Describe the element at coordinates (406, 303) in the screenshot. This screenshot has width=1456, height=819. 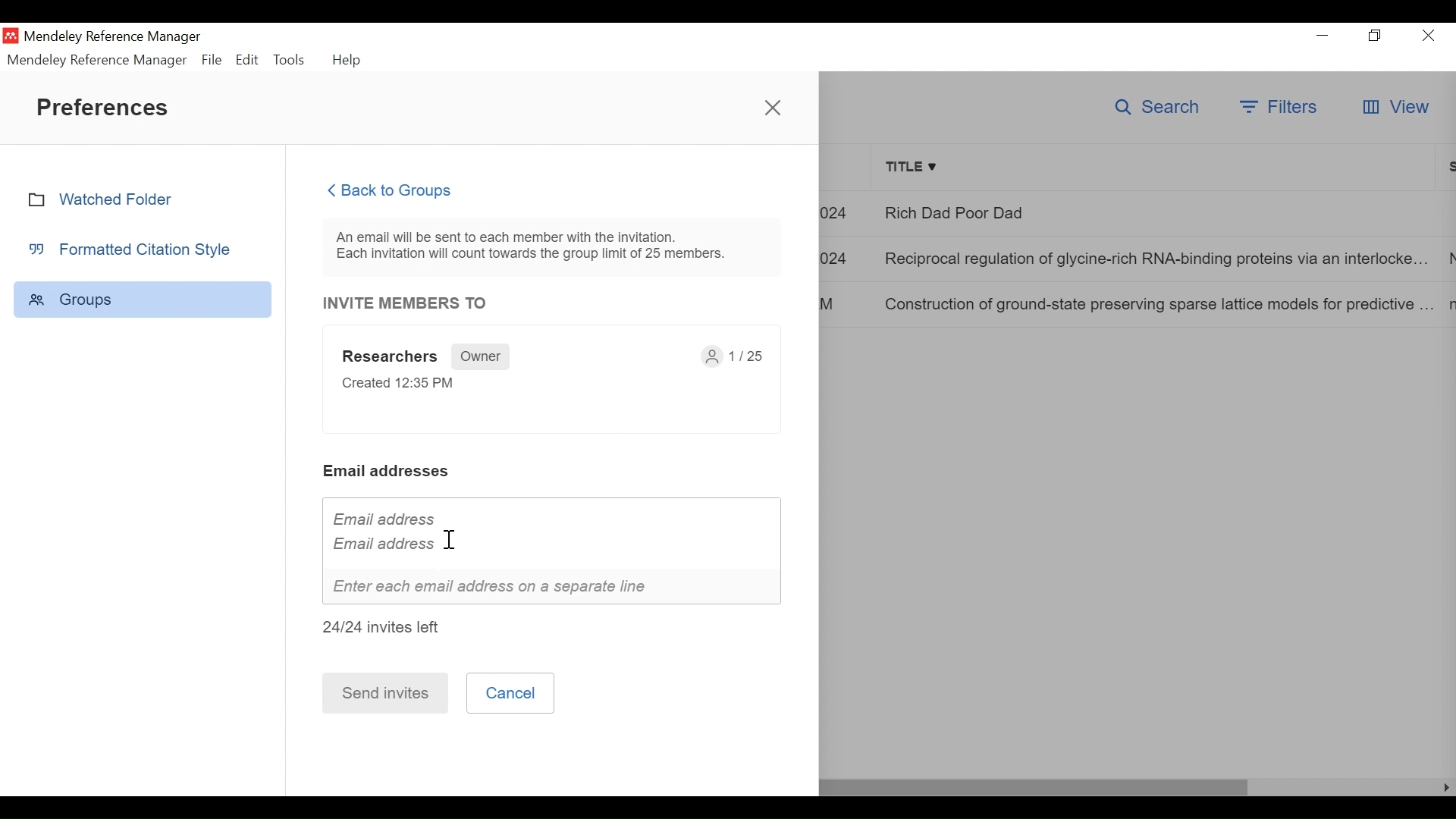
I see `INVITE MEMBERS TO` at that location.